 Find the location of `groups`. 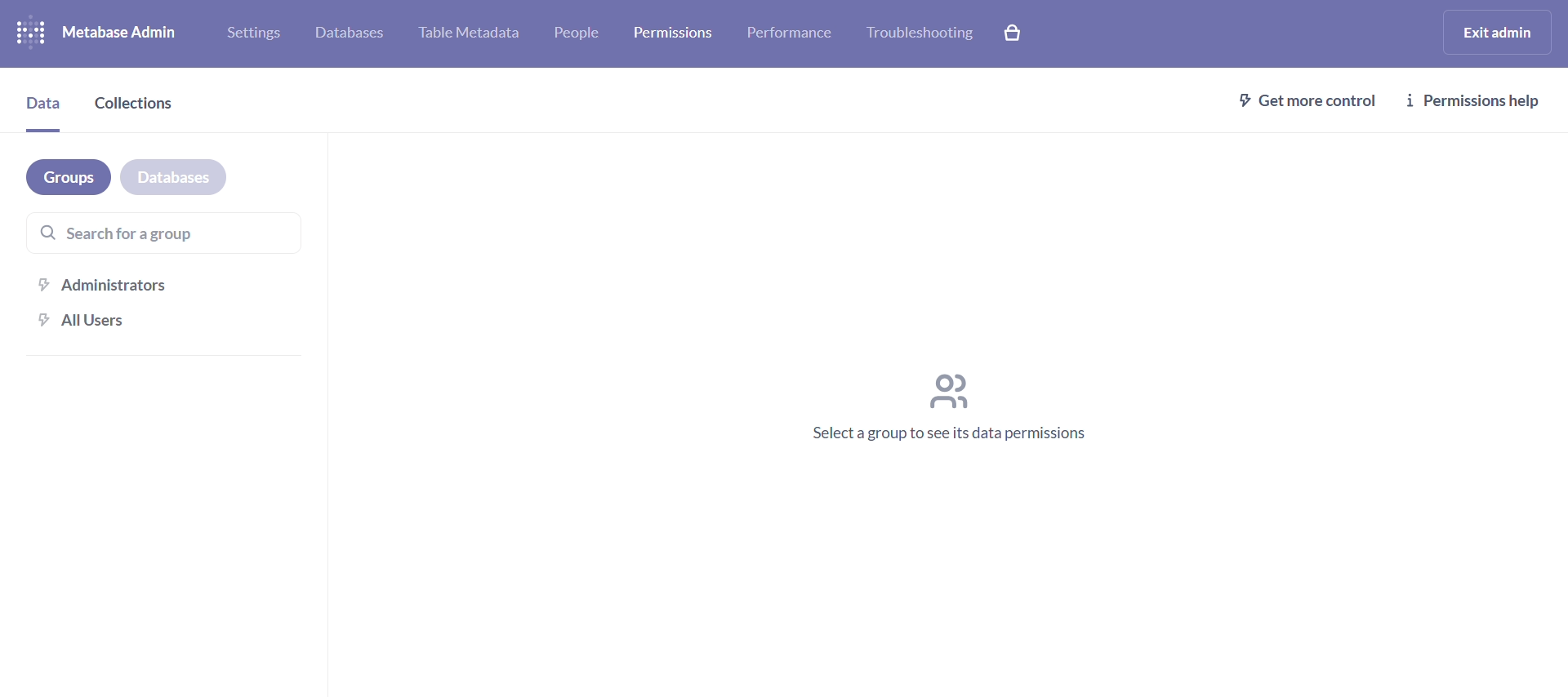

groups is located at coordinates (69, 177).